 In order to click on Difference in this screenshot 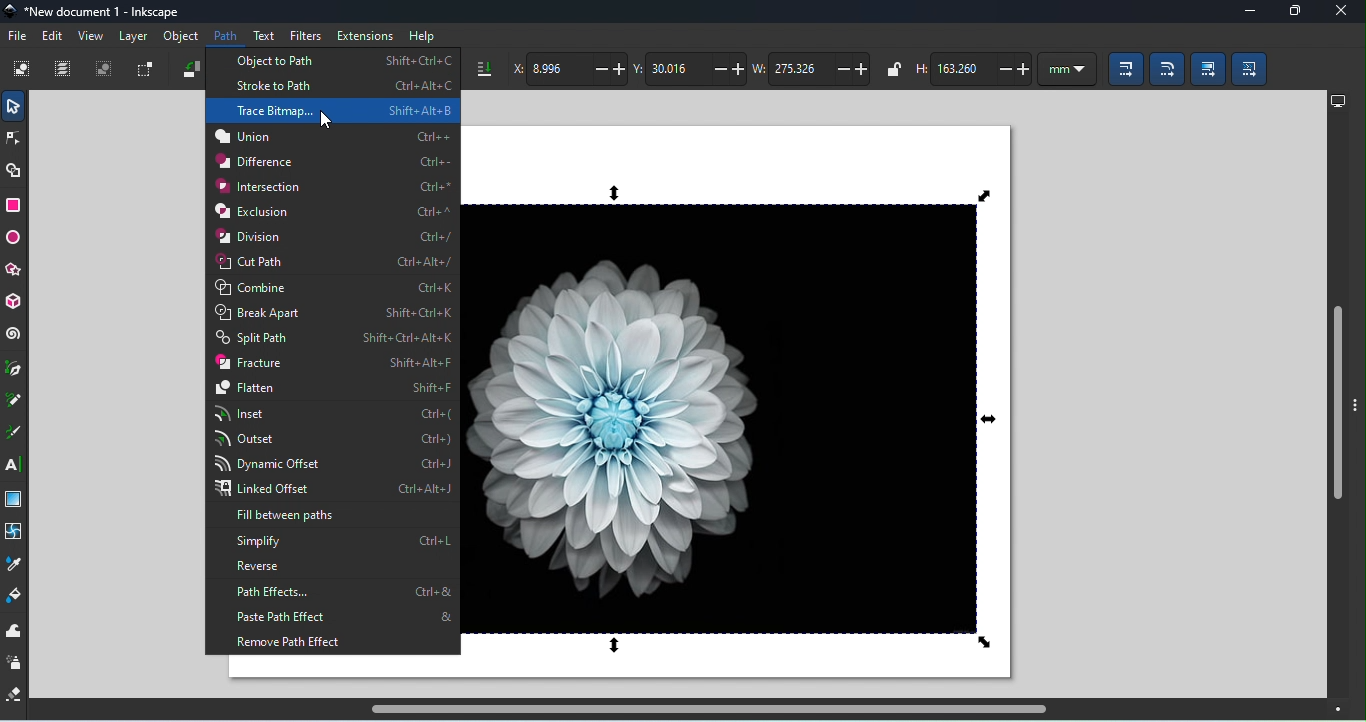, I will do `click(332, 160)`.